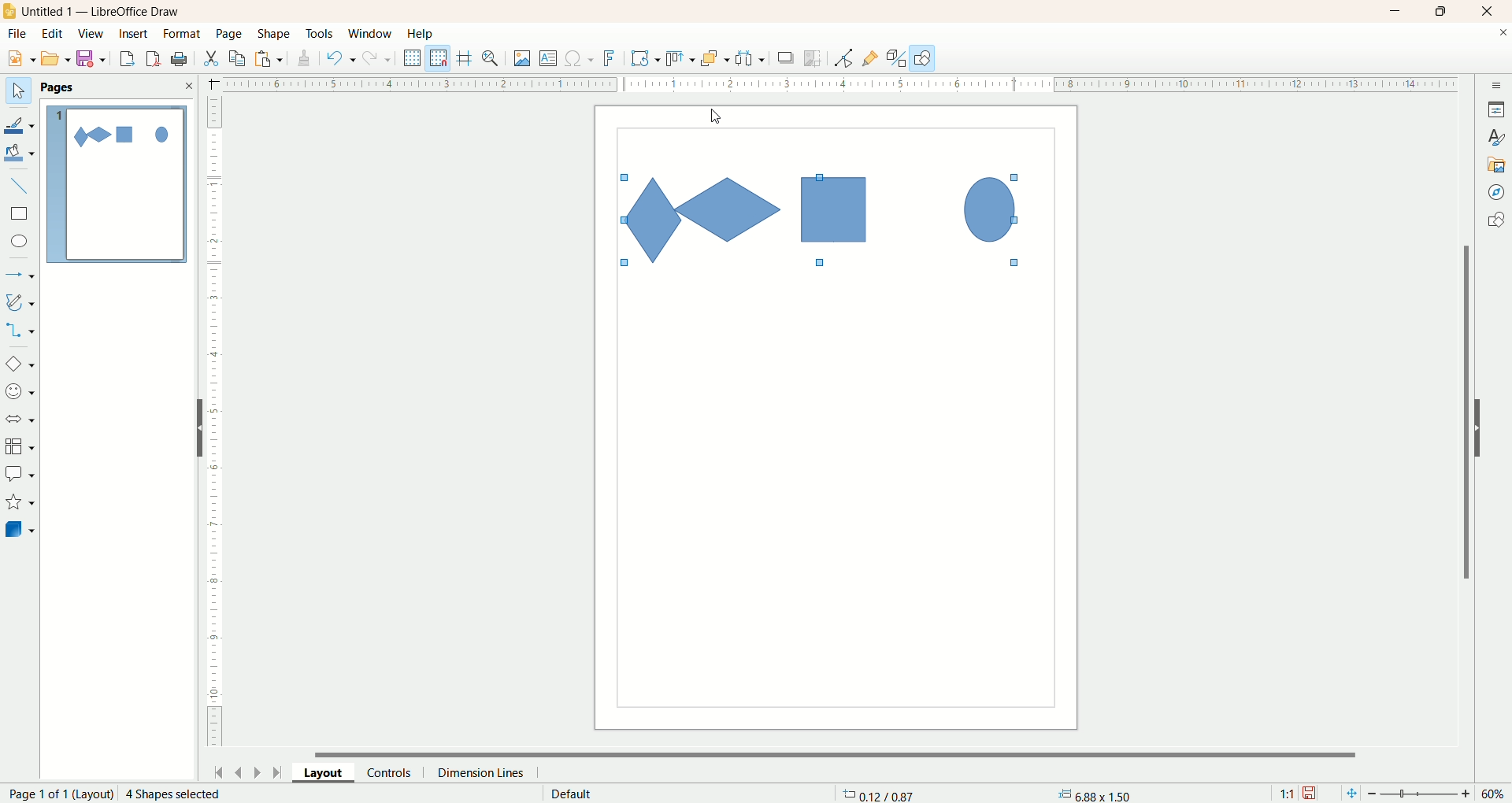  What do you see at coordinates (21, 243) in the screenshot?
I see `ellipse` at bounding box center [21, 243].